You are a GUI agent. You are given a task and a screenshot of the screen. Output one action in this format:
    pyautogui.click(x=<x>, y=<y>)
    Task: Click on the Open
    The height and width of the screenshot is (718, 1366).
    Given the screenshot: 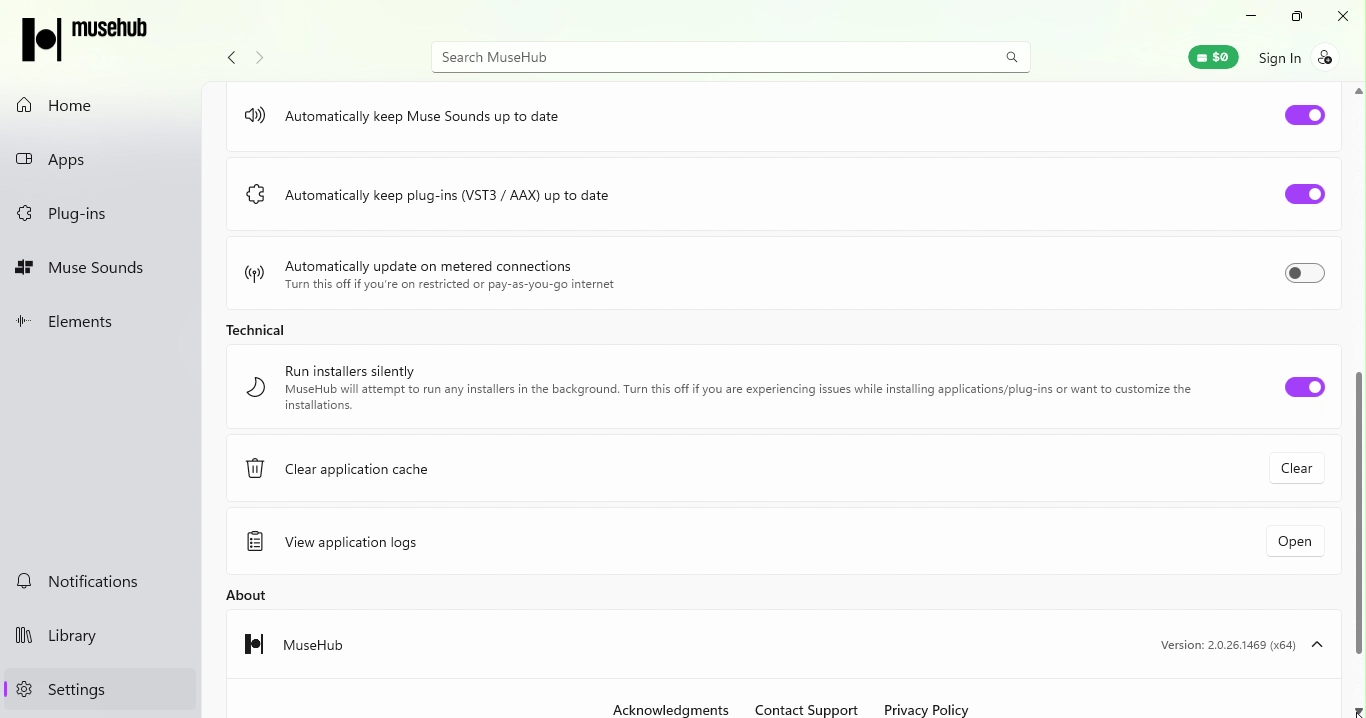 What is the action you would take?
    pyautogui.click(x=1296, y=542)
    